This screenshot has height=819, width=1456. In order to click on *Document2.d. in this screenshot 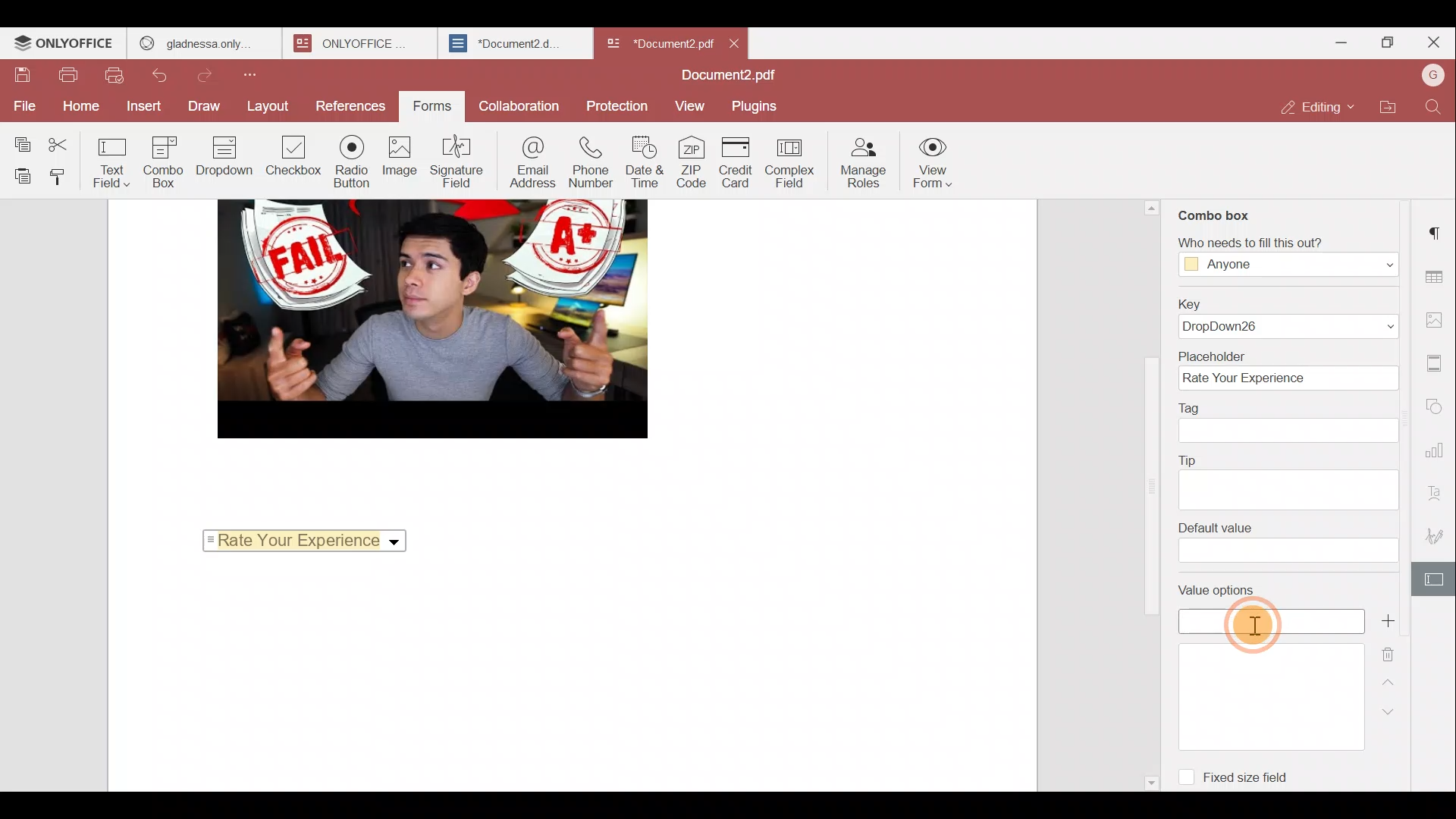, I will do `click(505, 41)`.